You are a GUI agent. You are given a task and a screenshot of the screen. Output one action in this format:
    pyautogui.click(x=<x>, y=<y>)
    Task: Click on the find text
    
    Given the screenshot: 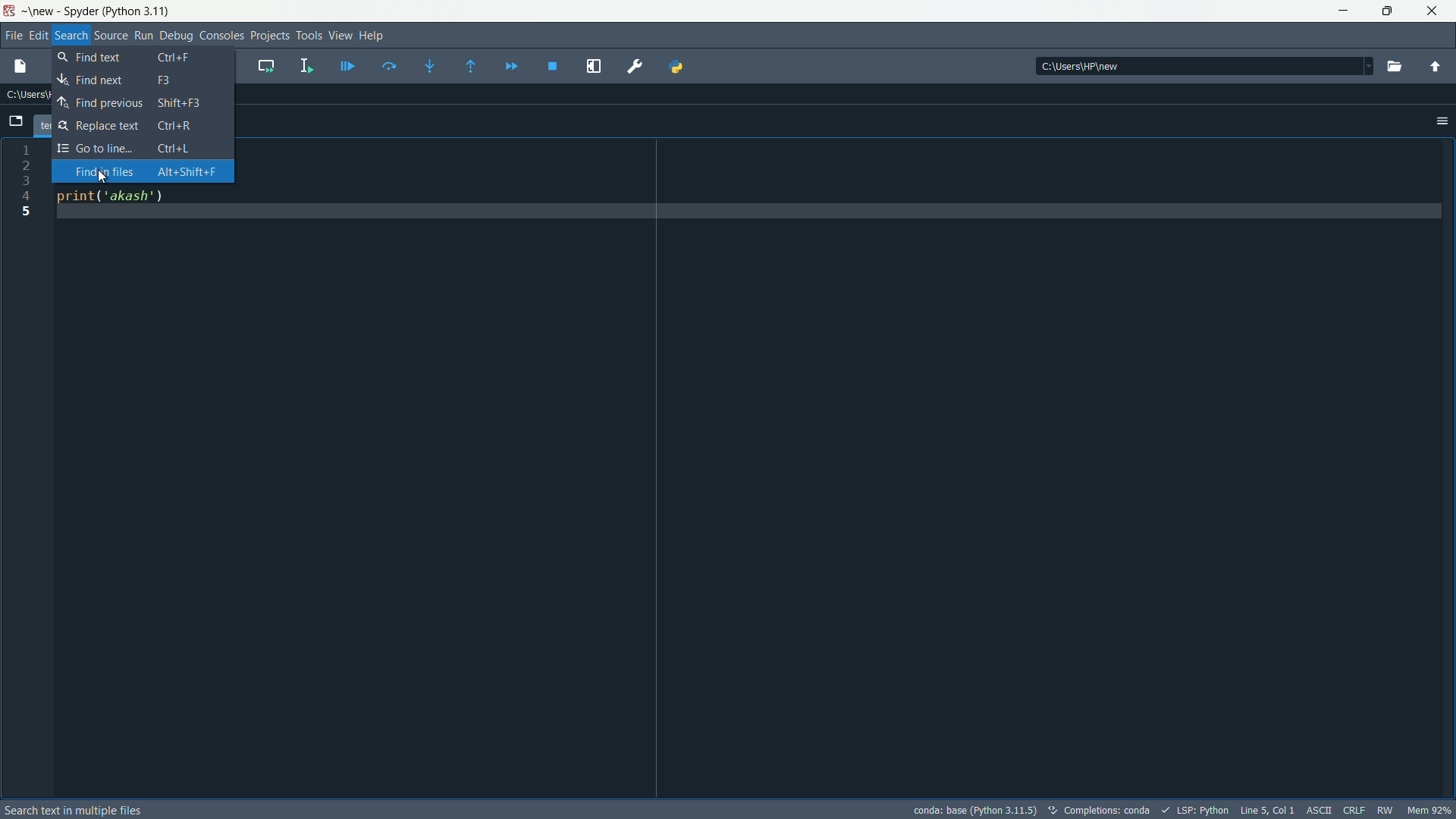 What is the action you would take?
    pyautogui.click(x=143, y=59)
    